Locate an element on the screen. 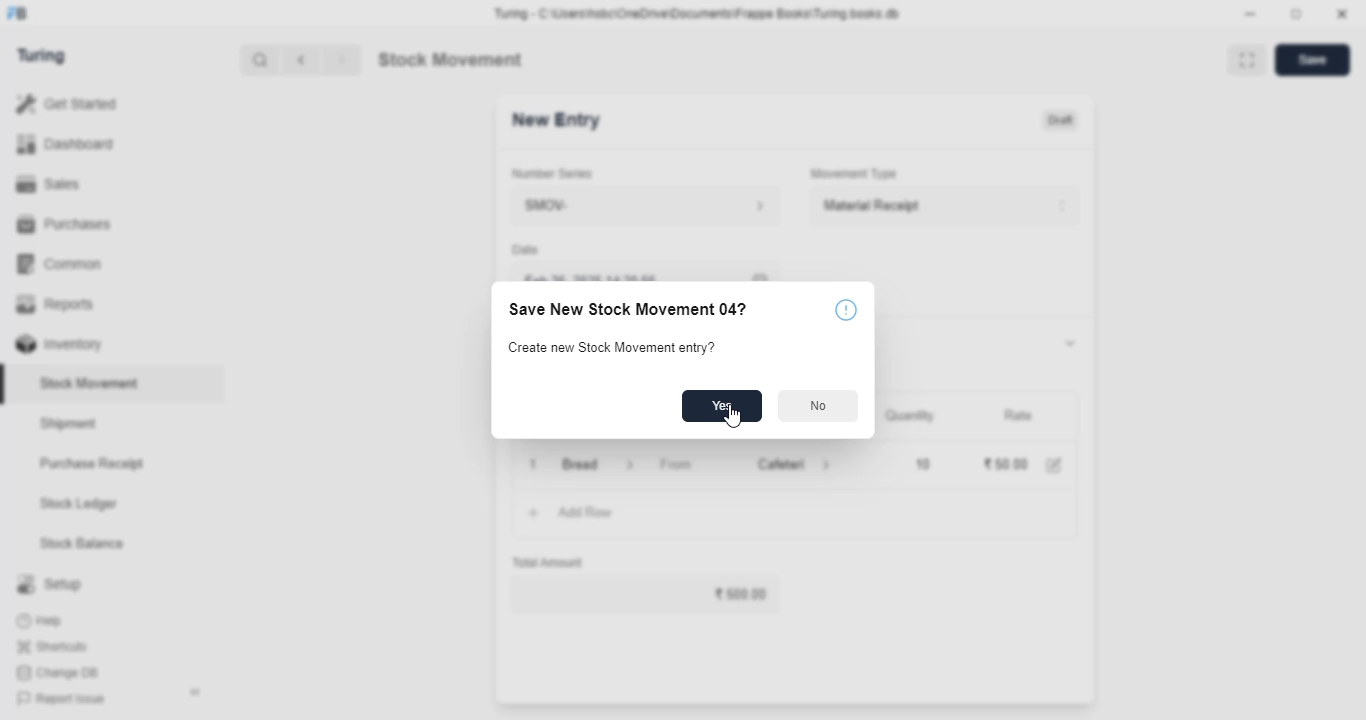 The width and height of the screenshot is (1366, 720). item information is located at coordinates (630, 466).